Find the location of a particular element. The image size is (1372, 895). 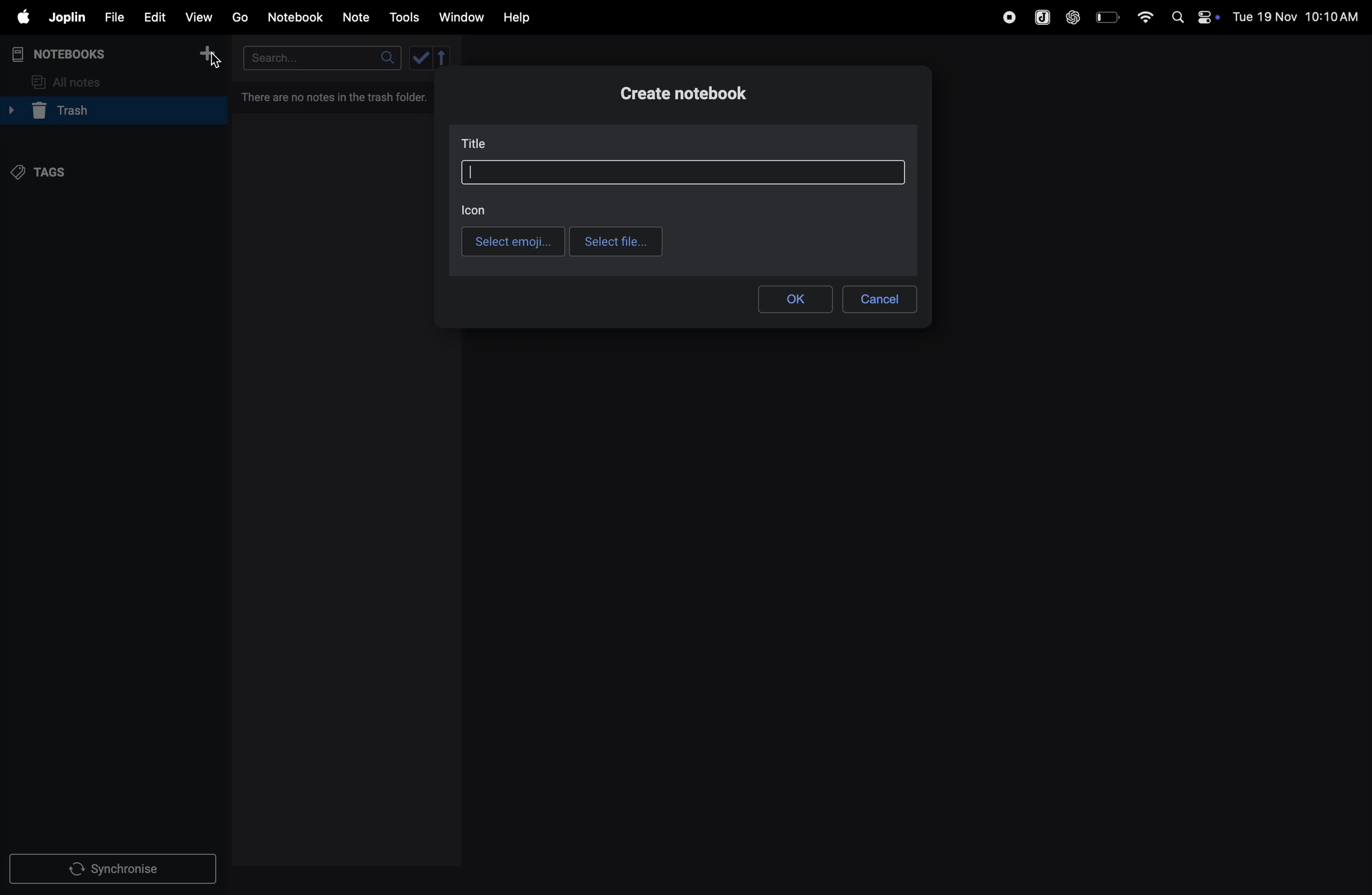

search is located at coordinates (1177, 17).